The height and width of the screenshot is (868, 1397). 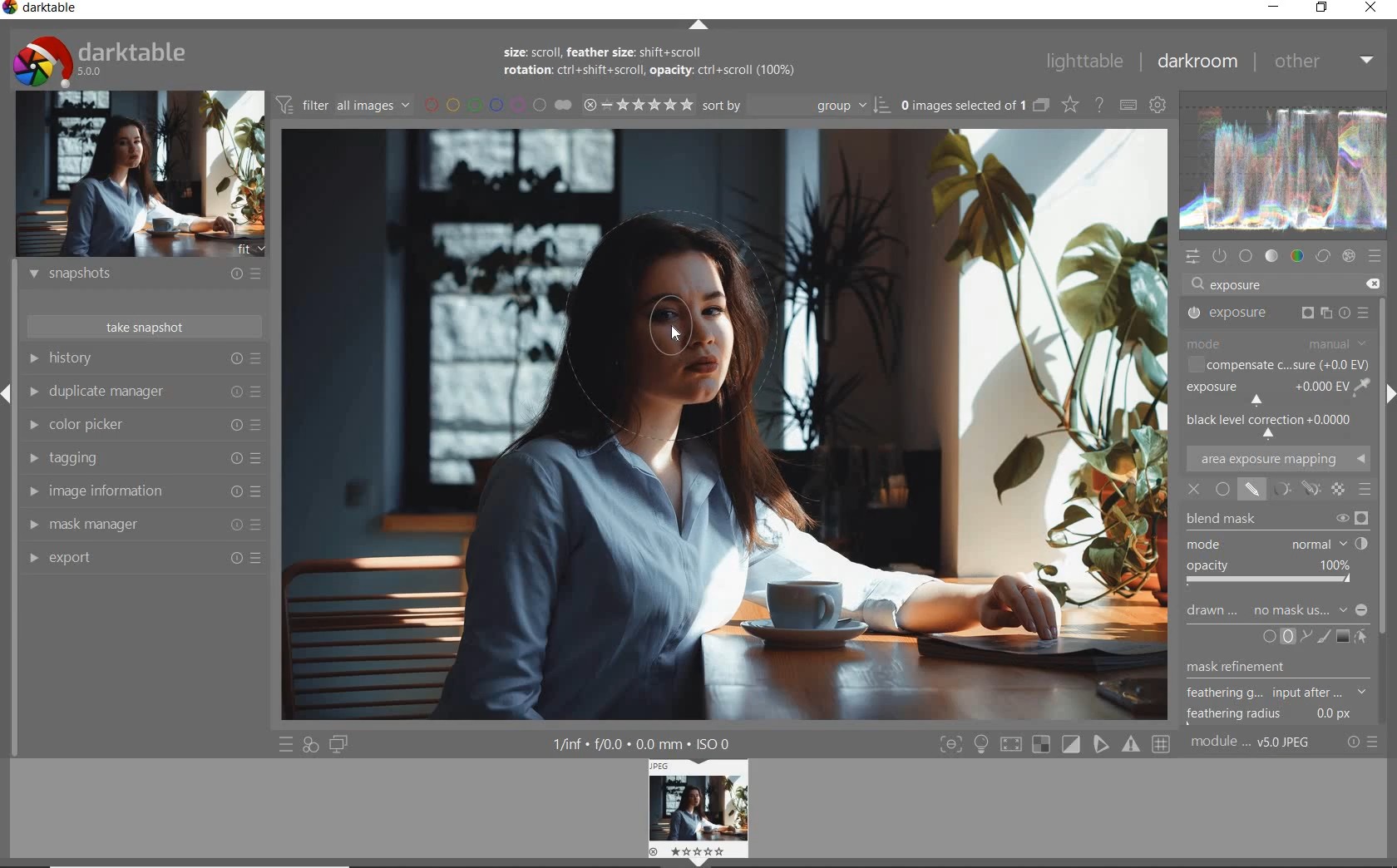 I want to click on quick access to presets, so click(x=287, y=743).